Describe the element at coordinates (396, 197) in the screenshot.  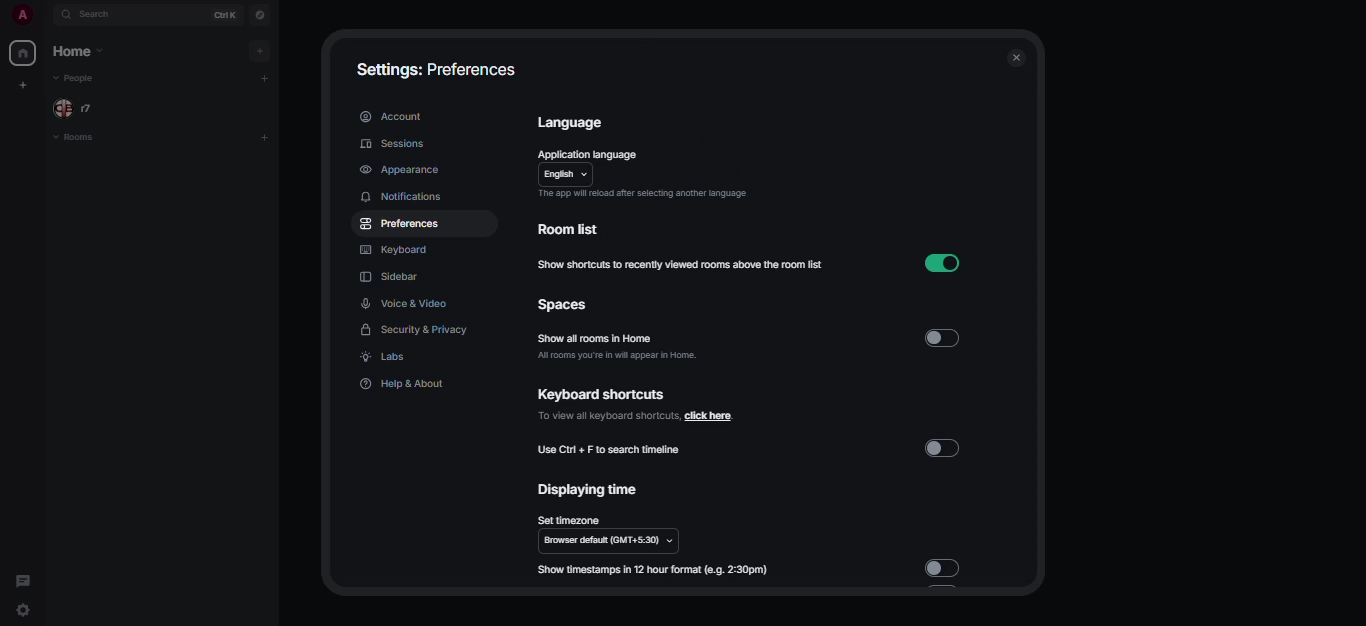
I see `notifications` at that location.